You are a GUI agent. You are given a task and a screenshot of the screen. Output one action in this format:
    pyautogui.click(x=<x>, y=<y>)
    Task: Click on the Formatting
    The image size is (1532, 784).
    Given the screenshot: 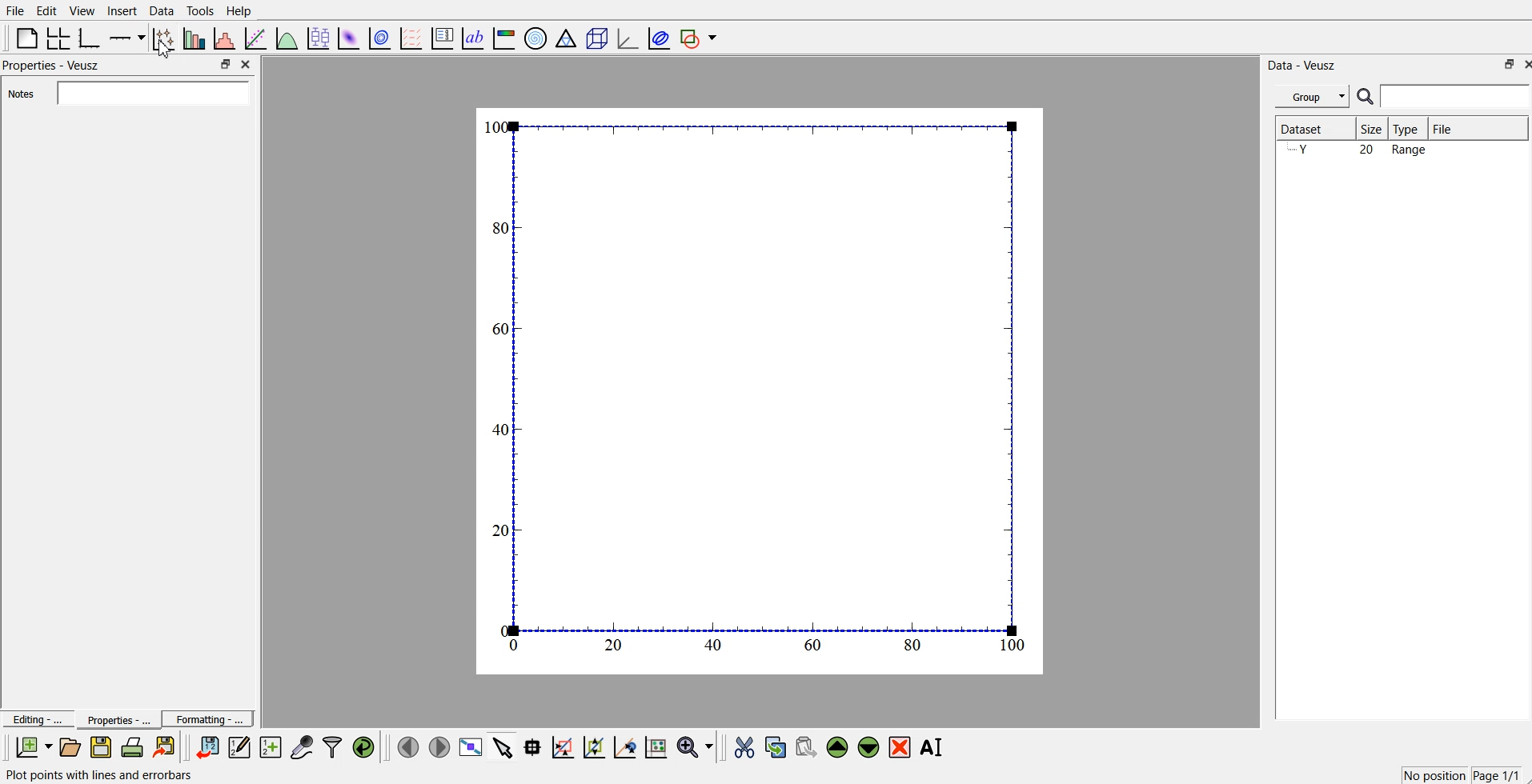 What is the action you would take?
    pyautogui.click(x=208, y=717)
    